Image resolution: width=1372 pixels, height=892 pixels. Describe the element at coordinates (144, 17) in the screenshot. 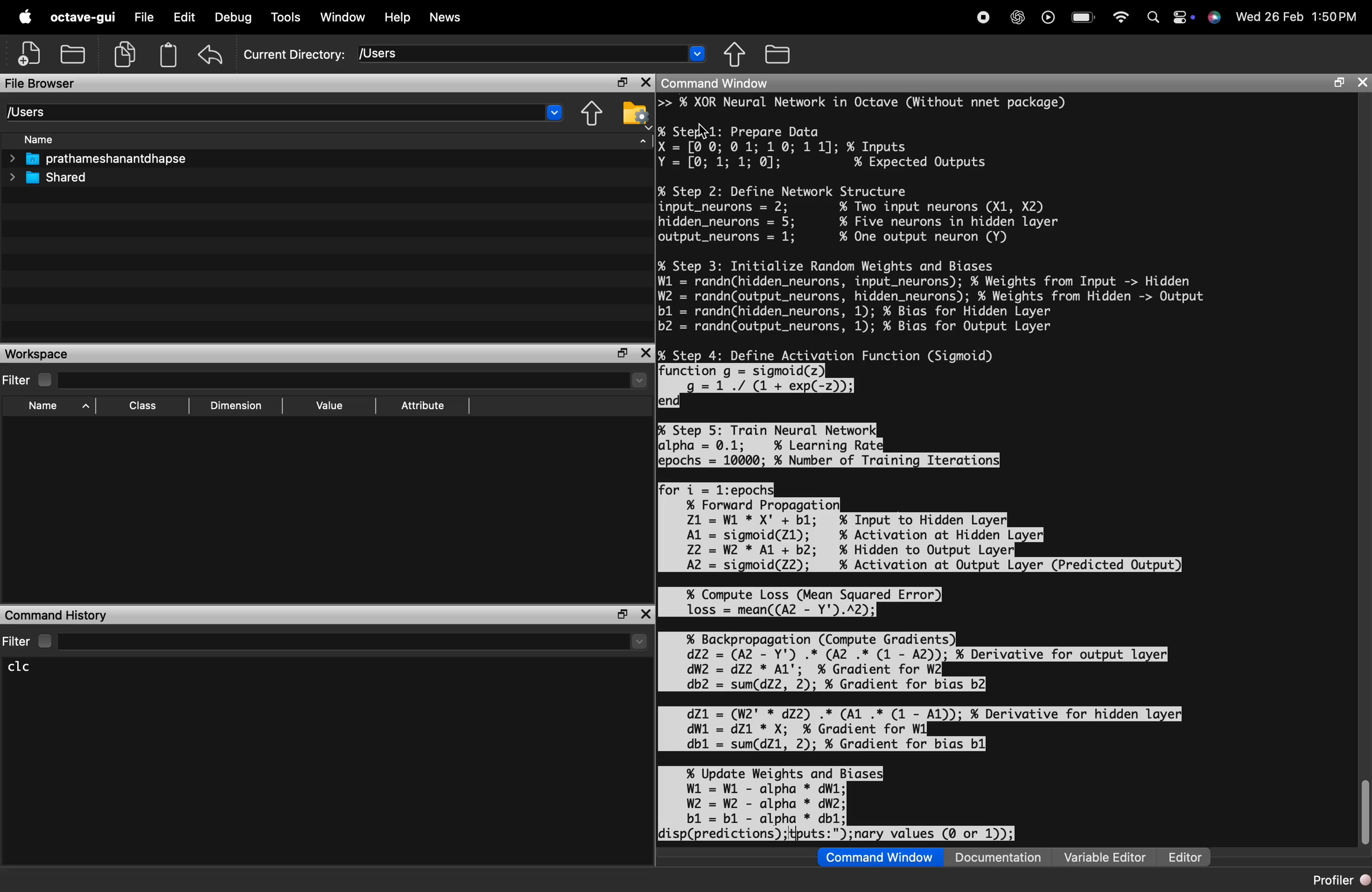

I see `File` at that location.